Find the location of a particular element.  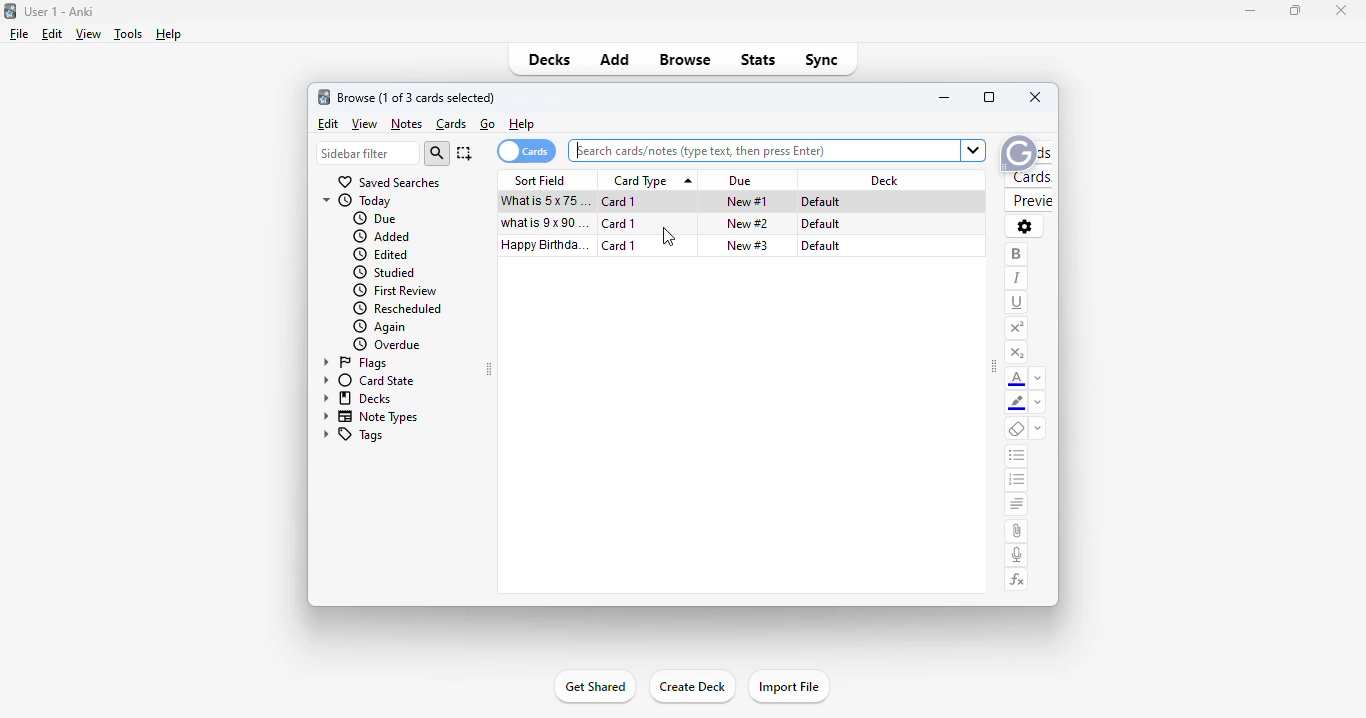

studied is located at coordinates (382, 272).